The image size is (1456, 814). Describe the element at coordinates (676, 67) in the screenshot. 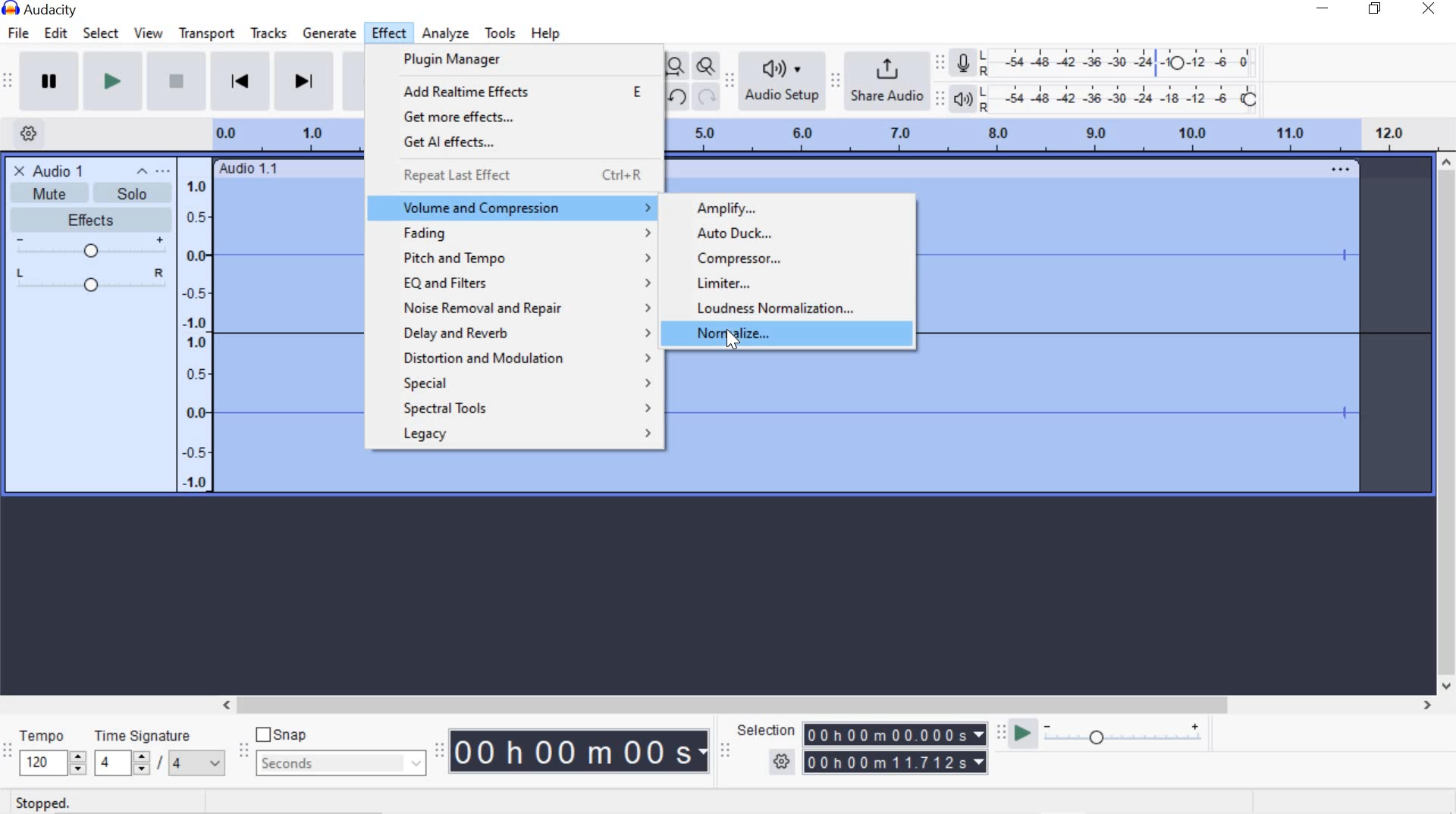

I see `Fit project to width` at that location.